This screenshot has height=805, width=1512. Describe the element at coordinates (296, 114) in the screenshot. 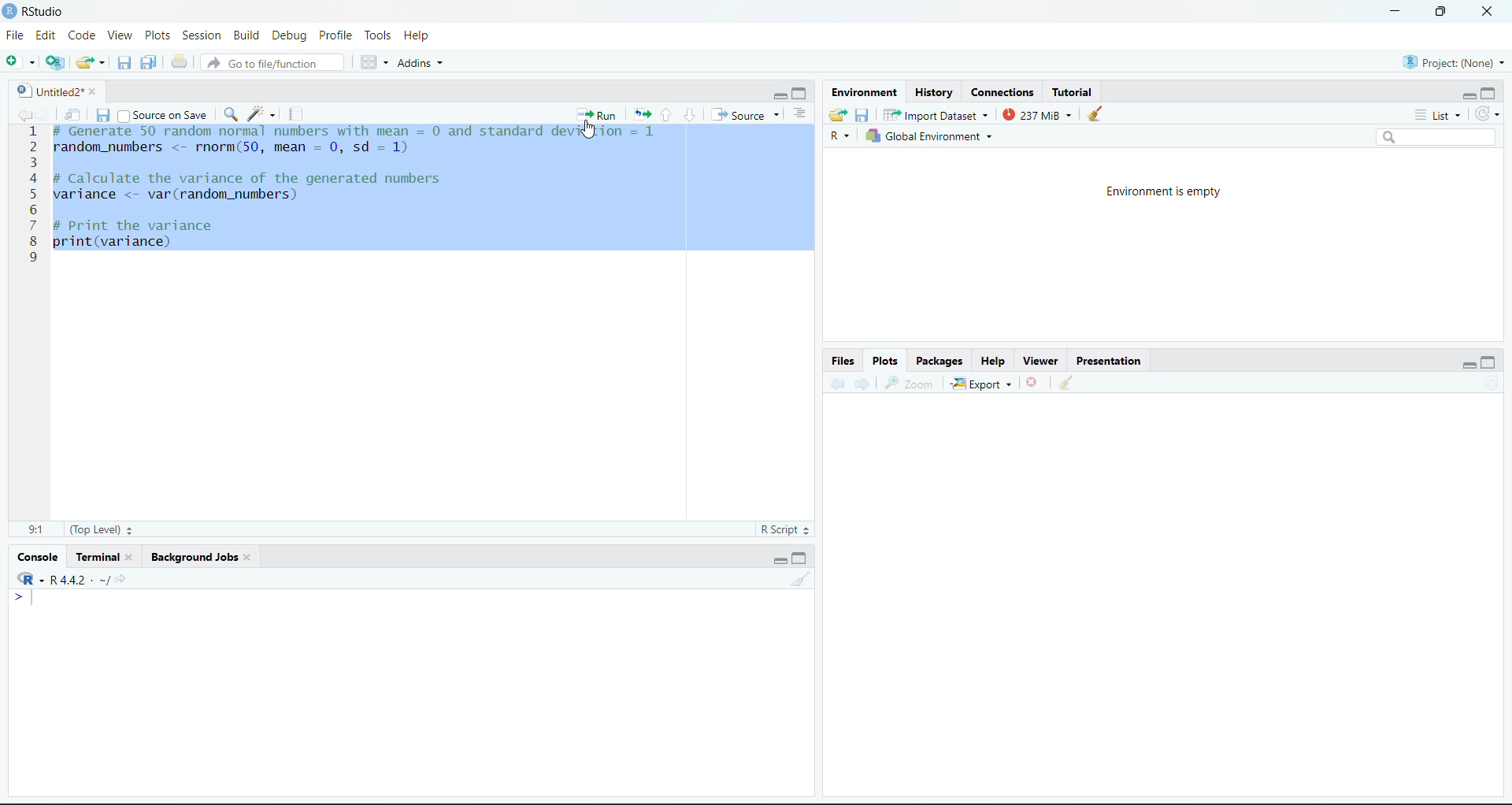

I see `compile report` at that location.